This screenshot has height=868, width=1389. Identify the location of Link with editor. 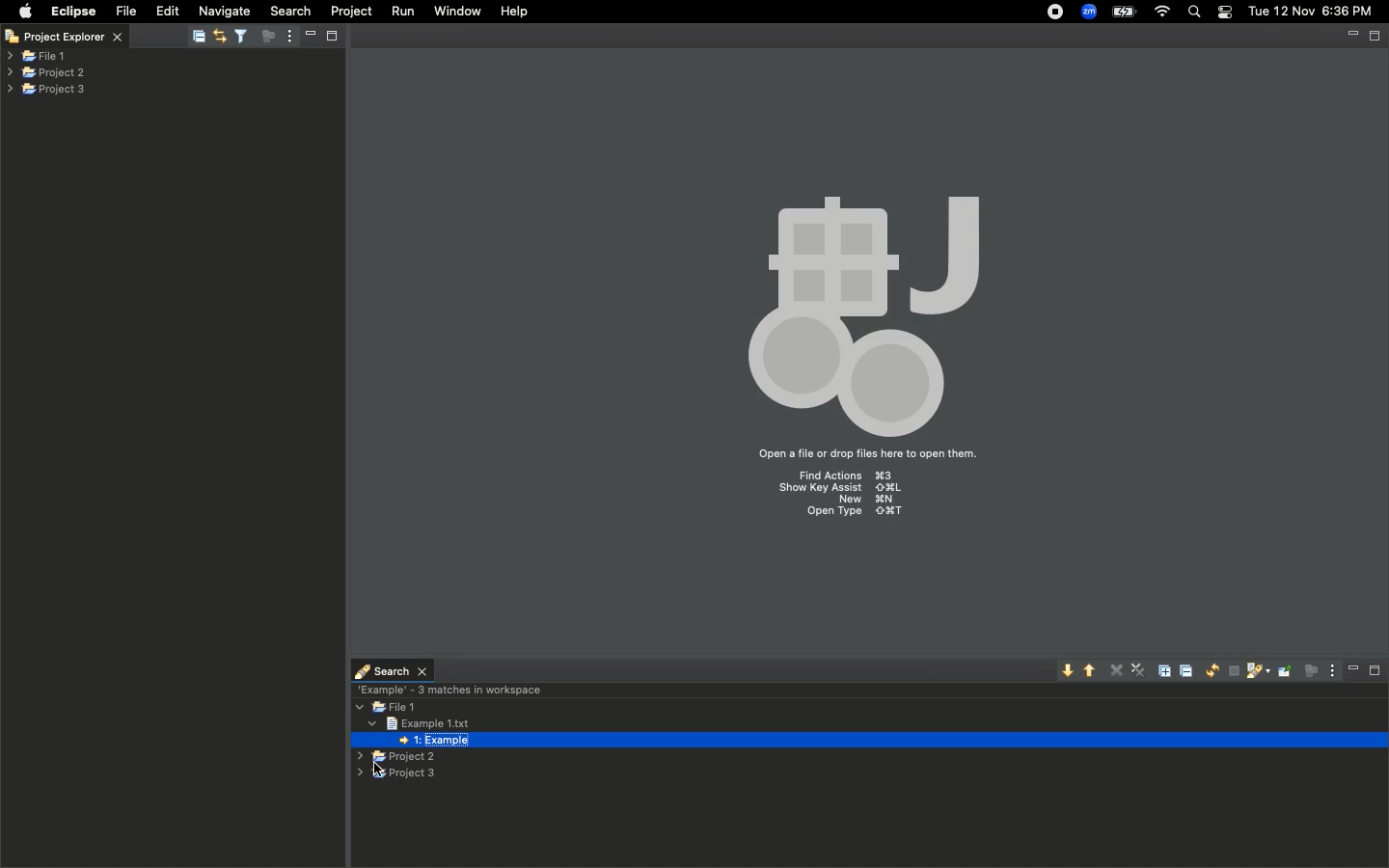
(218, 34).